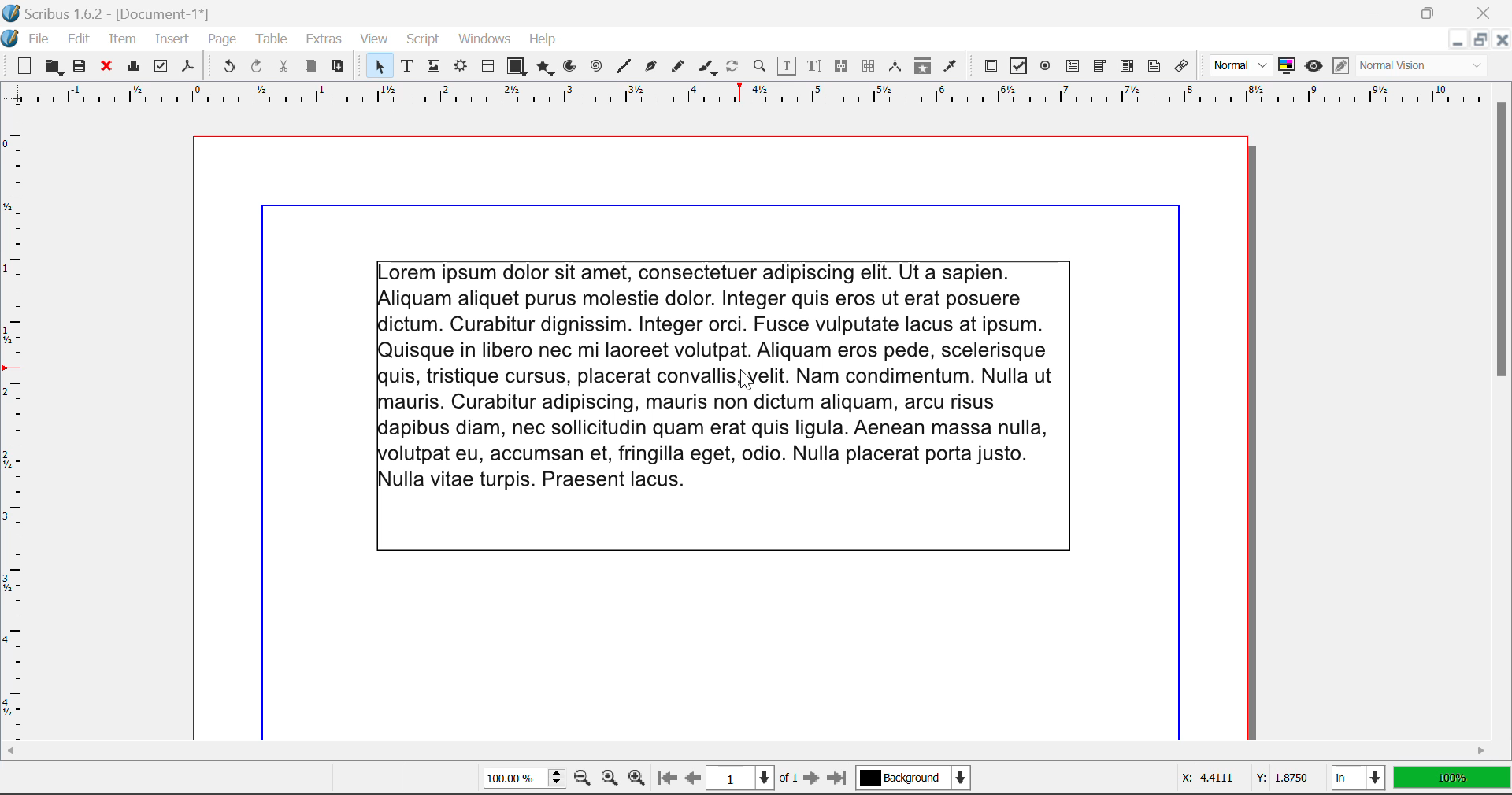 The height and width of the screenshot is (795, 1512). Describe the element at coordinates (407, 68) in the screenshot. I see `Text Frames` at that location.